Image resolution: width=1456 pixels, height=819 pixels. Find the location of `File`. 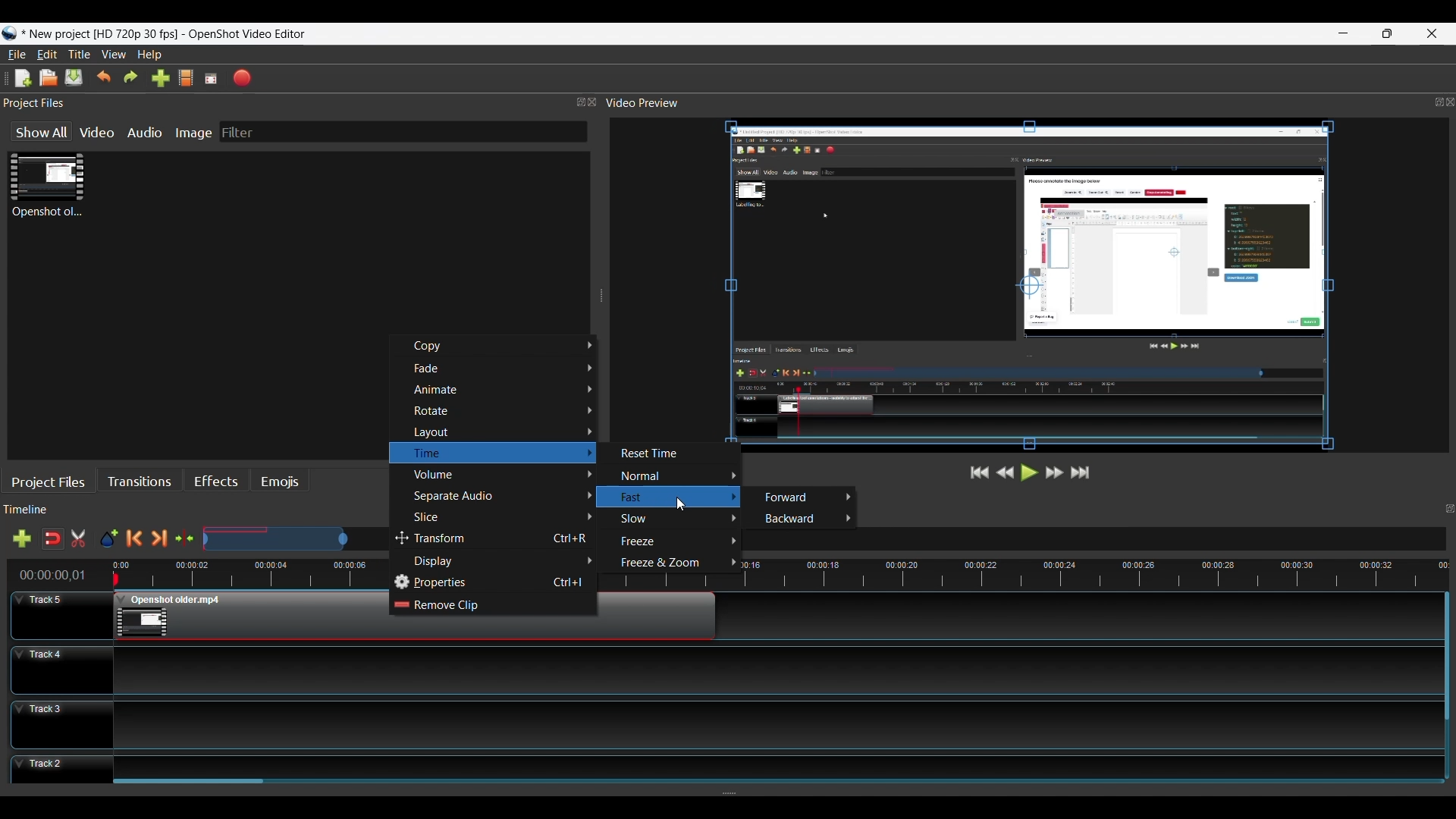

File is located at coordinates (15, 55).